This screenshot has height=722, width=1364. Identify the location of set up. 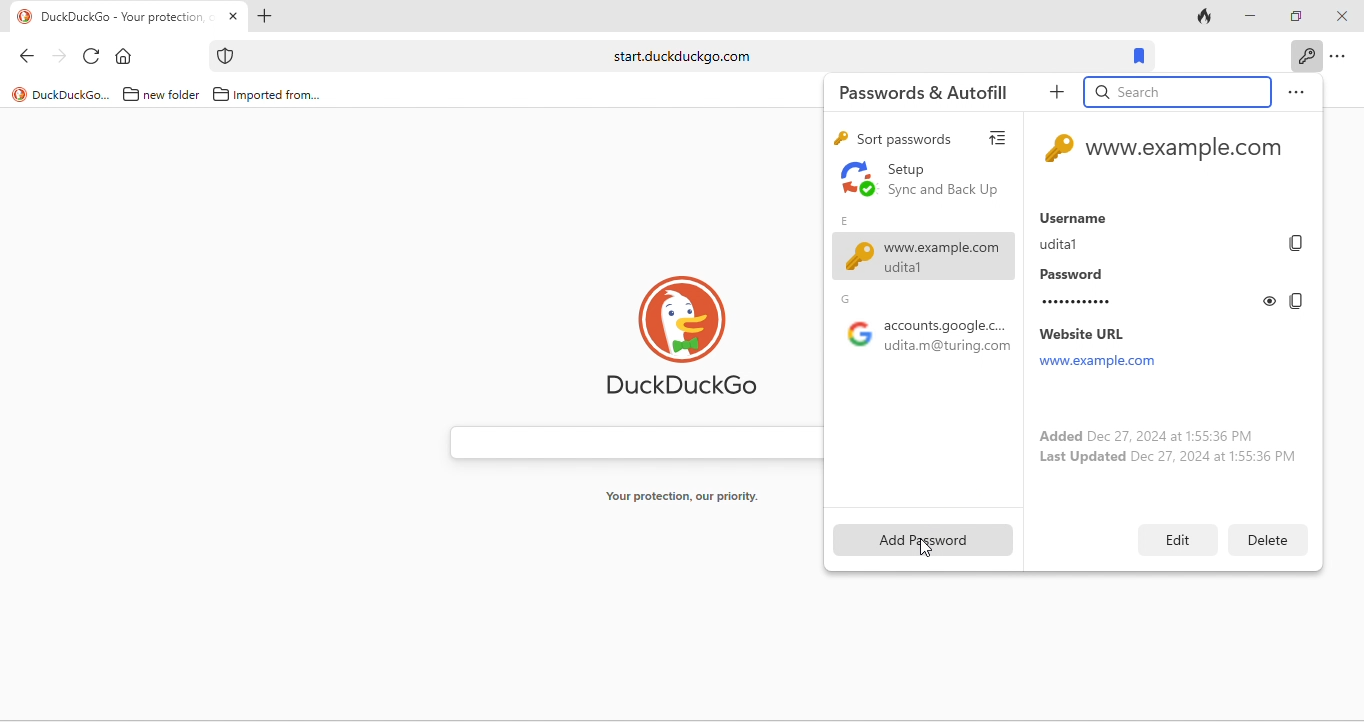
(922, 184).